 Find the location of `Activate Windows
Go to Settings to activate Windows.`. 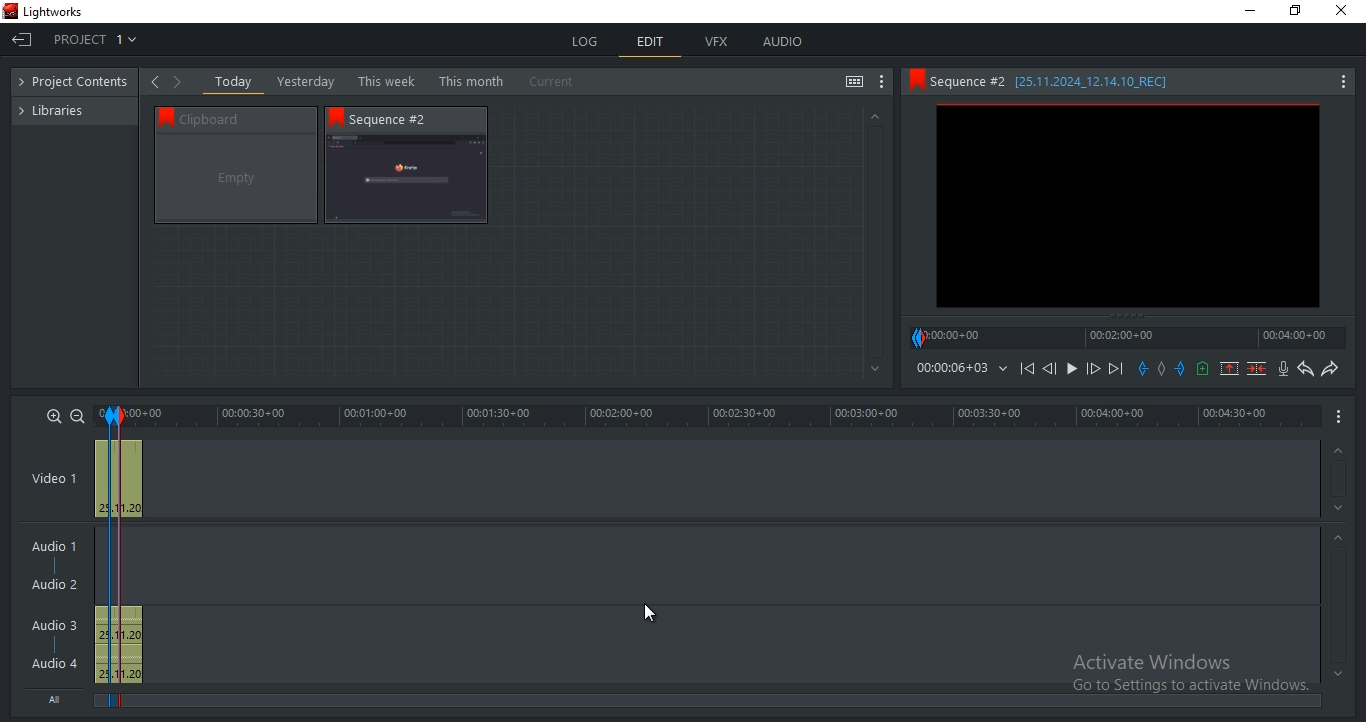

Activate Windows
Go to Settings to activate Windows. is located at coordinates (1190, 675).